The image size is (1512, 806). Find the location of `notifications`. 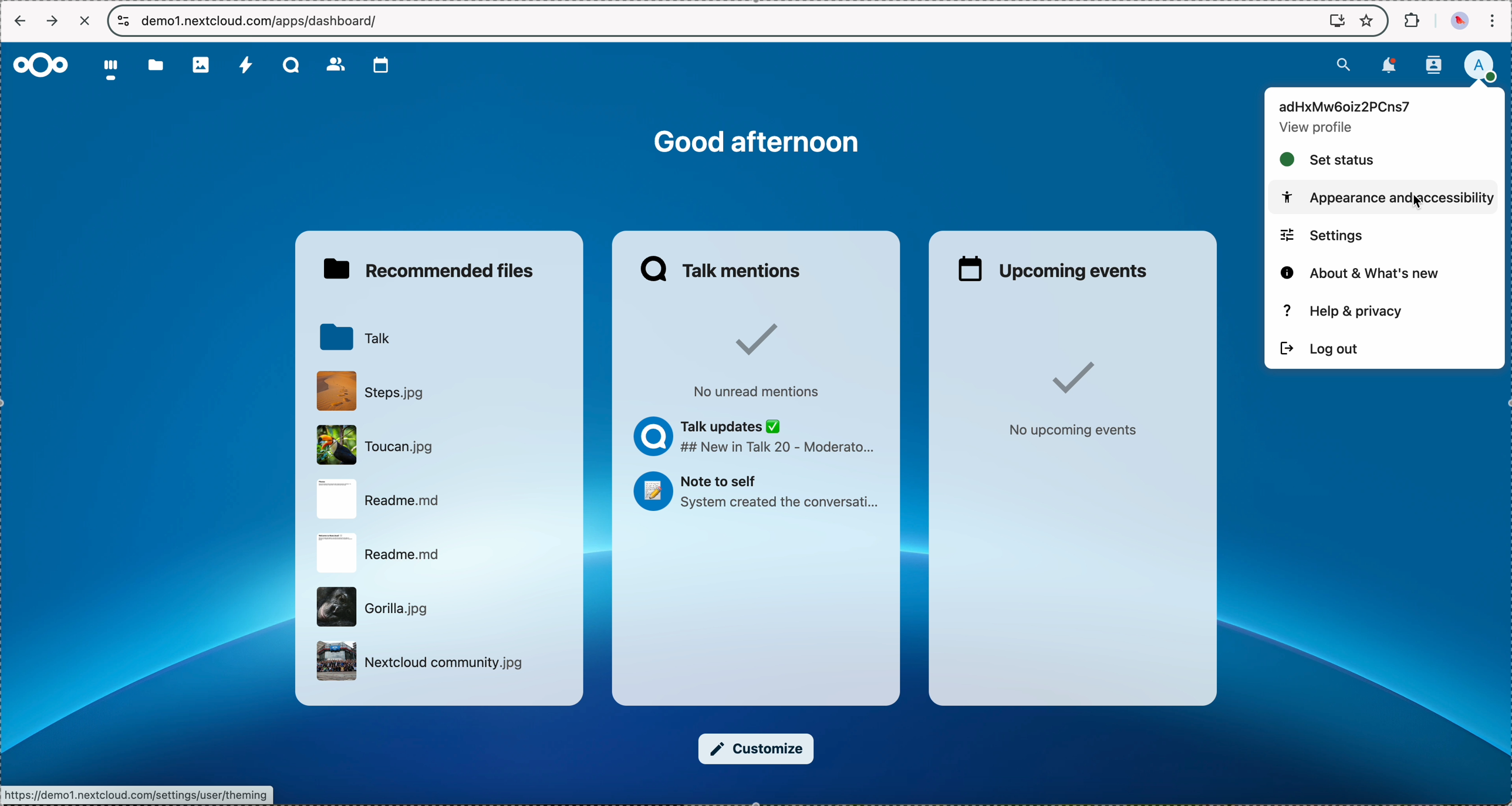

notifications is located at coordinates (1387, 67).